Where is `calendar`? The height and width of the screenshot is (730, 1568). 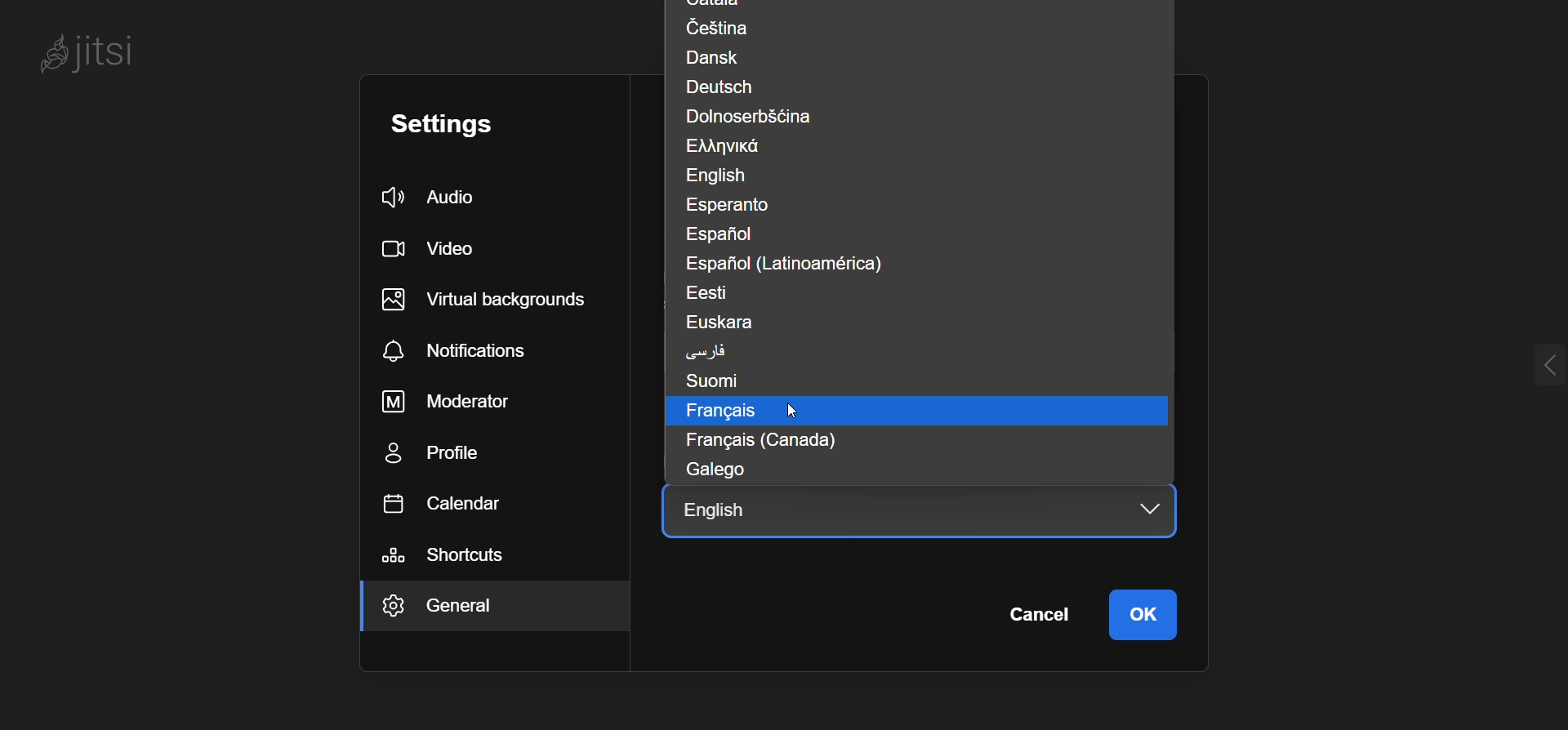
calendar is located at coordinates (451, 505).